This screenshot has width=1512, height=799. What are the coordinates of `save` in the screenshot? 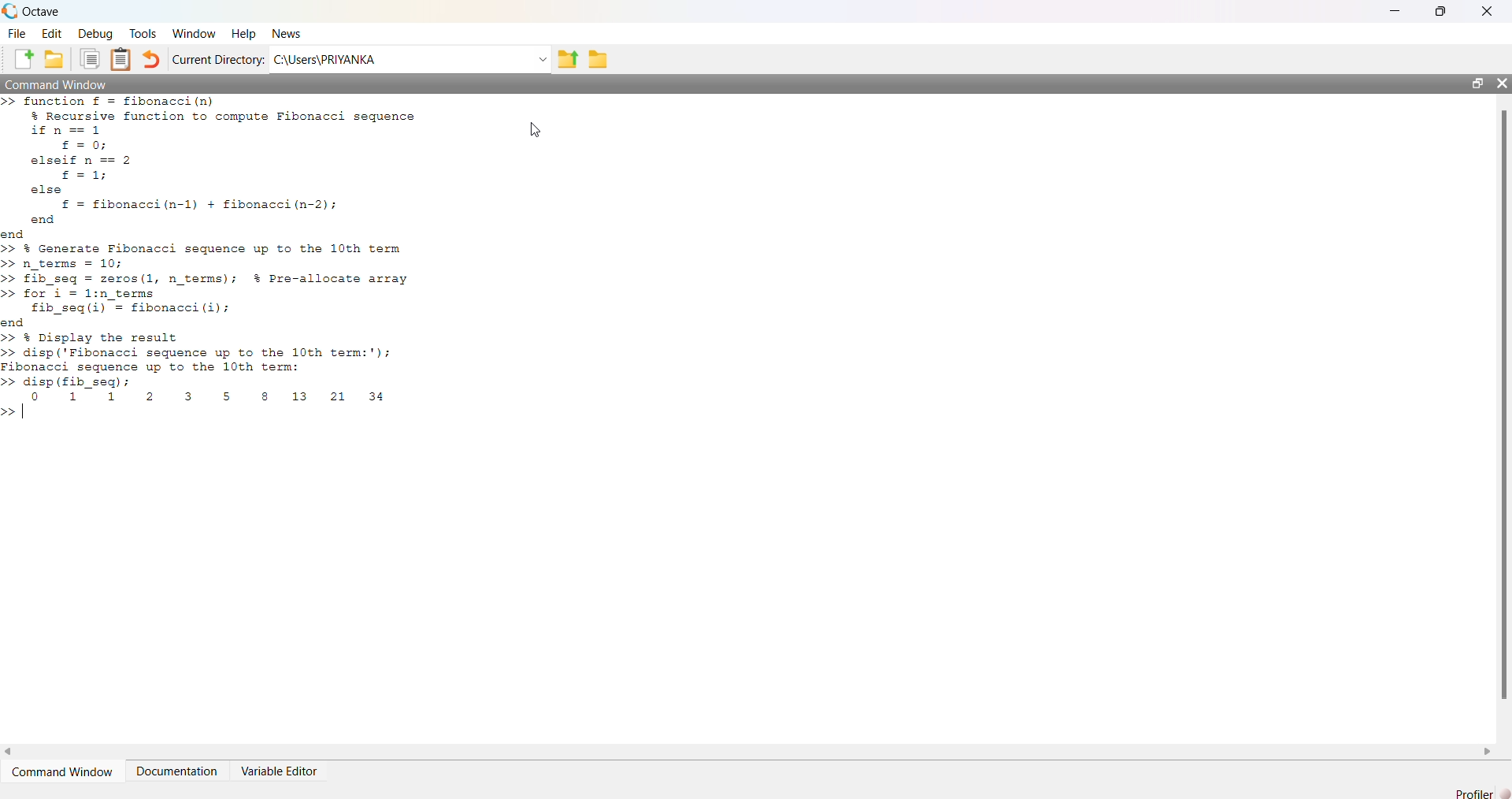 It's located at (602, 59).